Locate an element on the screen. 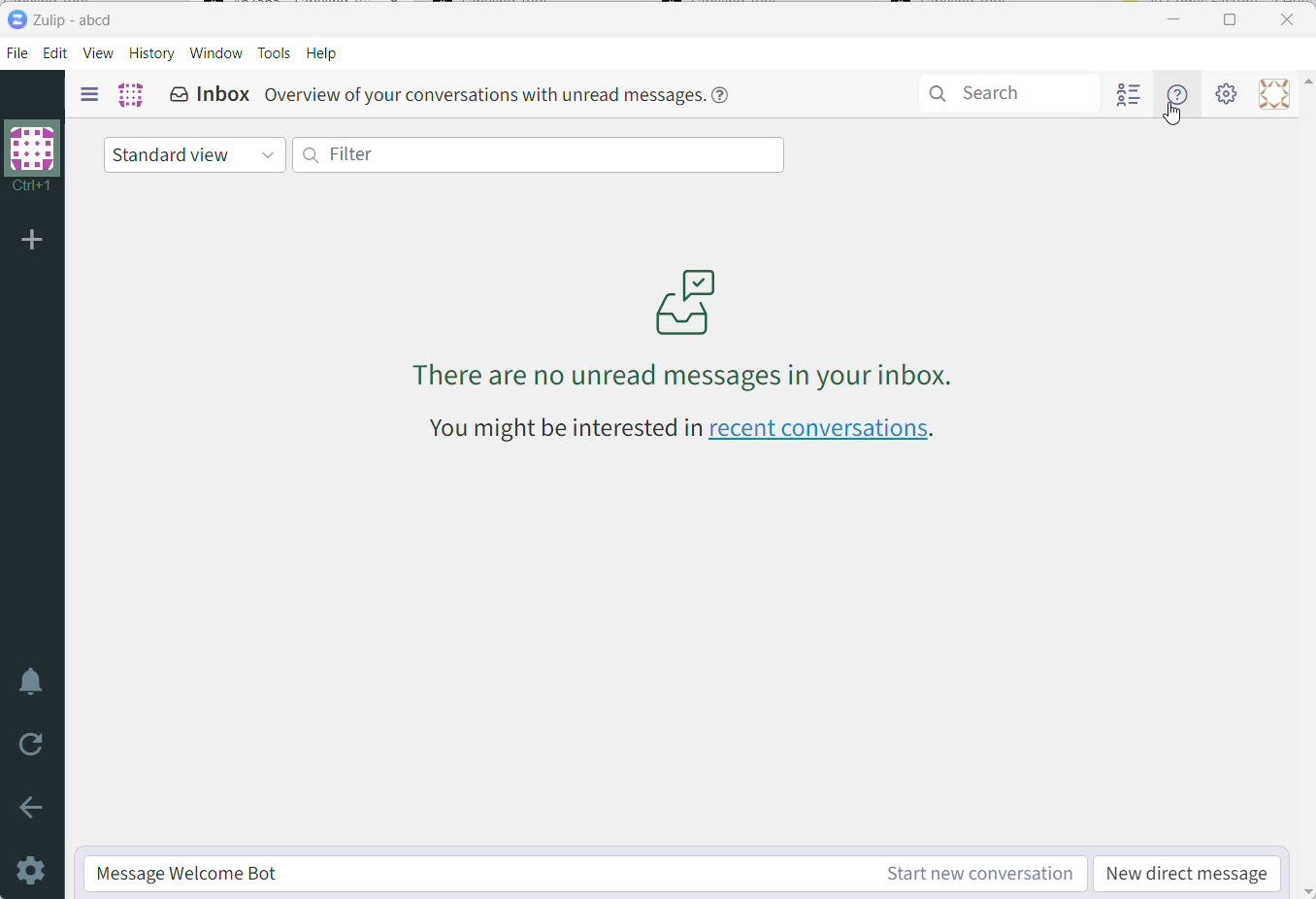 The height and width of the screenshot is (899, 1316). Help is located at coordinates (323, 54).